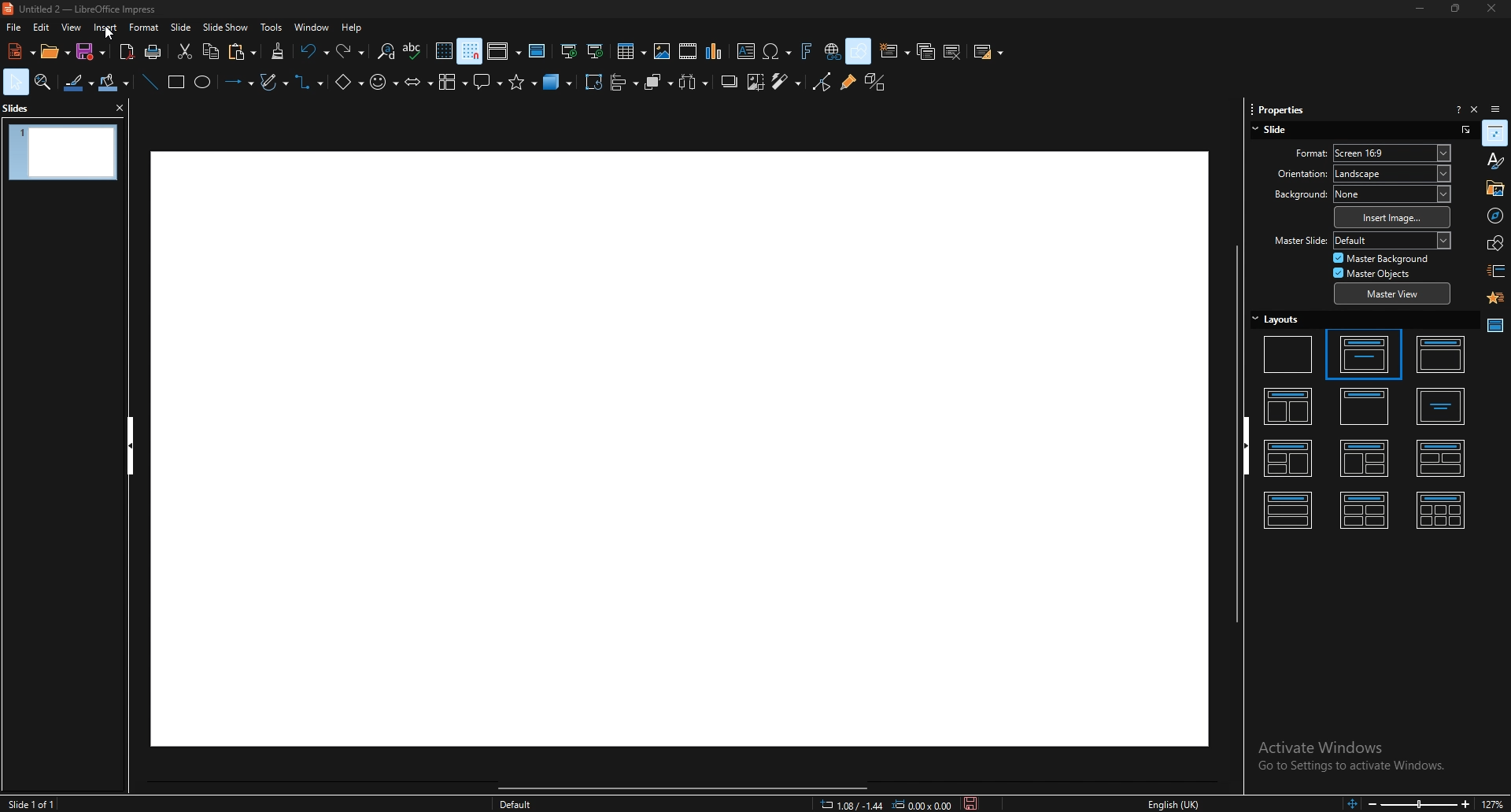  Describe the element at coordinates (1365, 509) in the screenshot. I see `title, 4 content` at that location.